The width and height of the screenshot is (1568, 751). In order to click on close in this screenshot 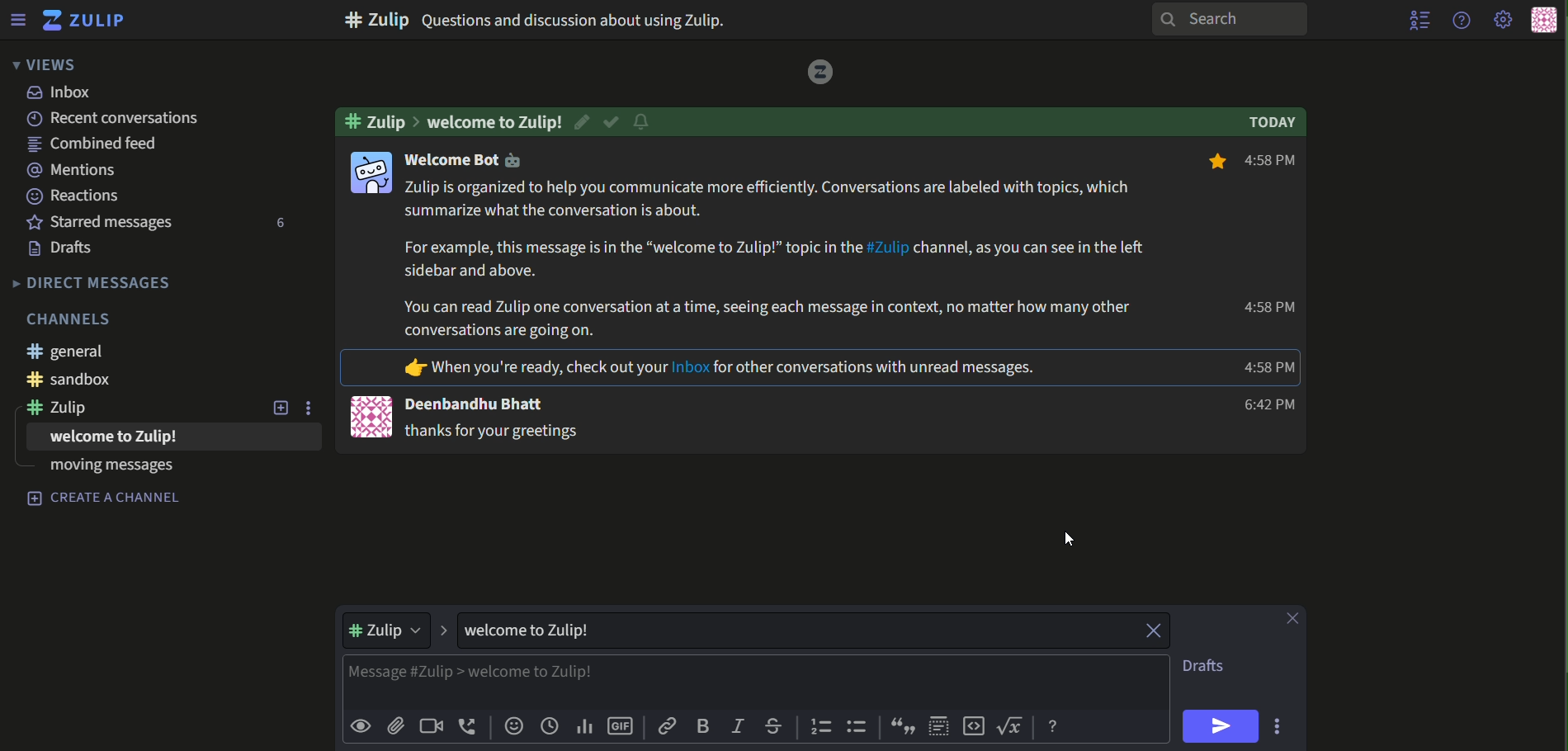, I will do `click(1295, 618)`.